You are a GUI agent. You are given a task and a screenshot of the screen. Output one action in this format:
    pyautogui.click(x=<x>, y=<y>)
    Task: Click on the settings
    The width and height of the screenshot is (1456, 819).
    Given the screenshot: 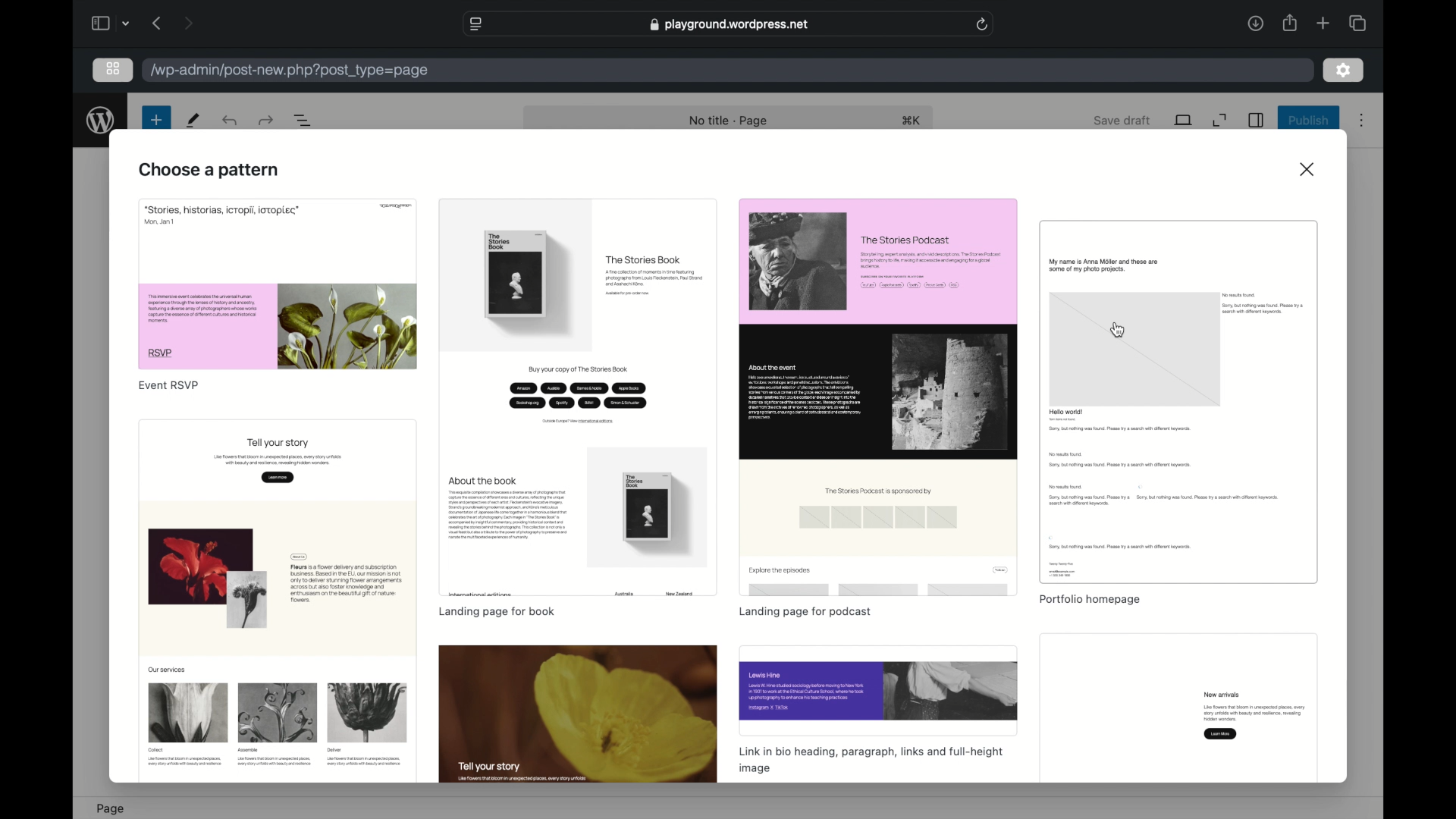 What is the action you would take?
    pyautogui.click(x=1344, y=71)
    